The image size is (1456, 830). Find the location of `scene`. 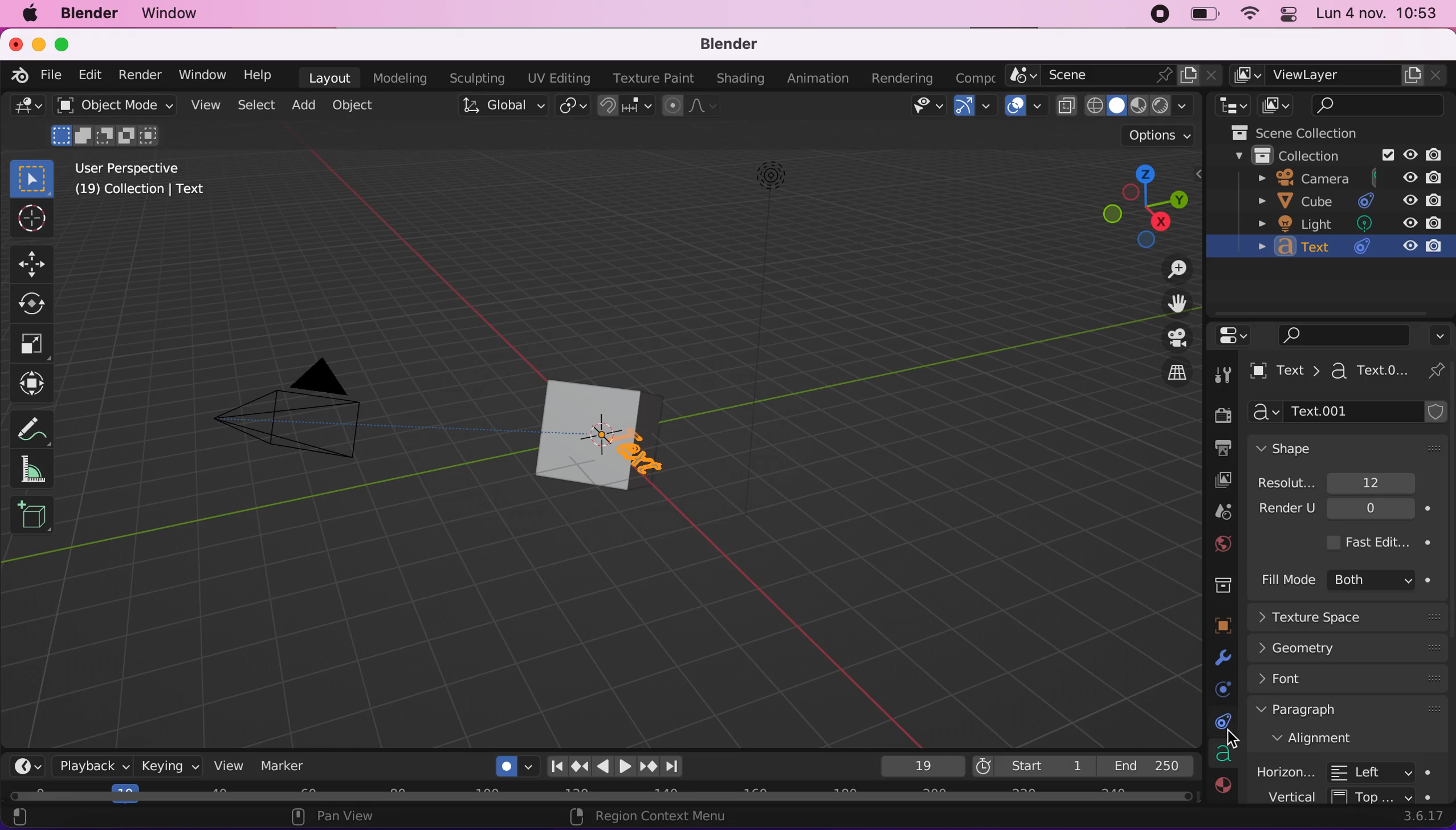

scene is located at coordinates (1223, 511).